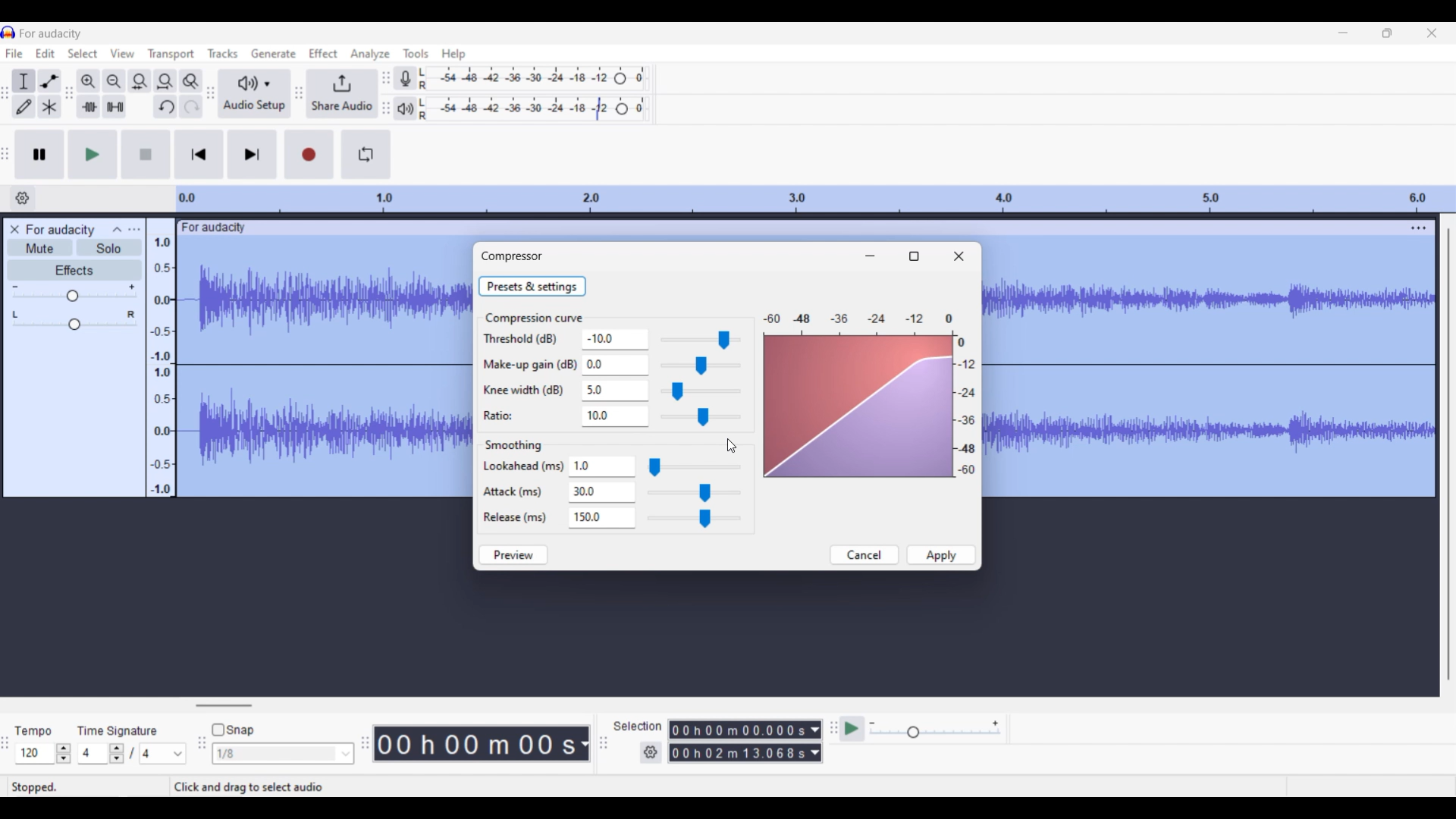 This screenshot has width=1456, height=819. I want to click on Pause, so click(40, 155).